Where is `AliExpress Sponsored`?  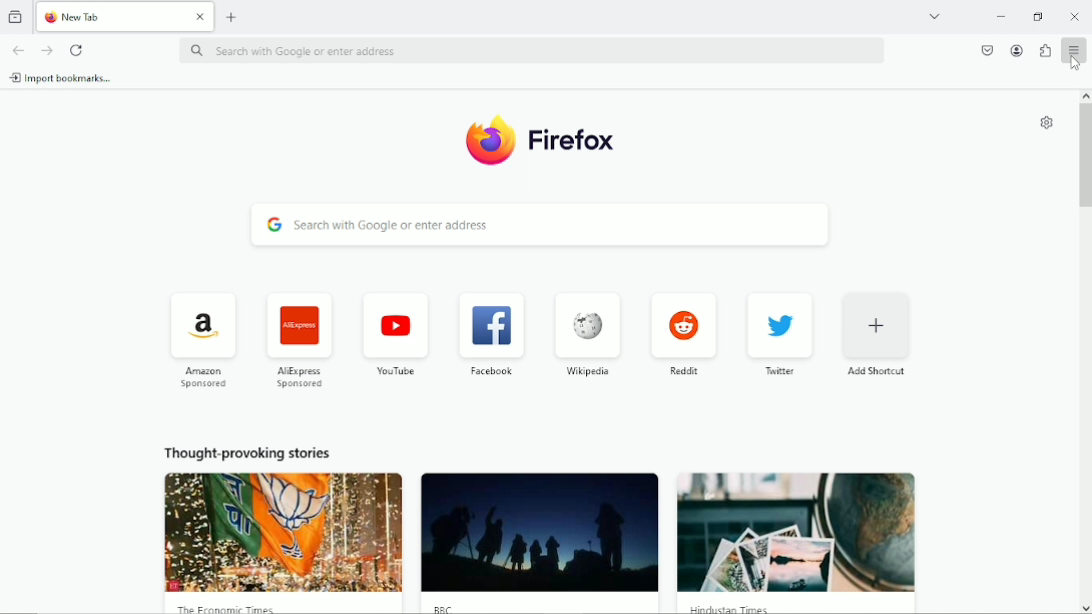 AliExpress Sponsored is located at coordinates (300, 339).